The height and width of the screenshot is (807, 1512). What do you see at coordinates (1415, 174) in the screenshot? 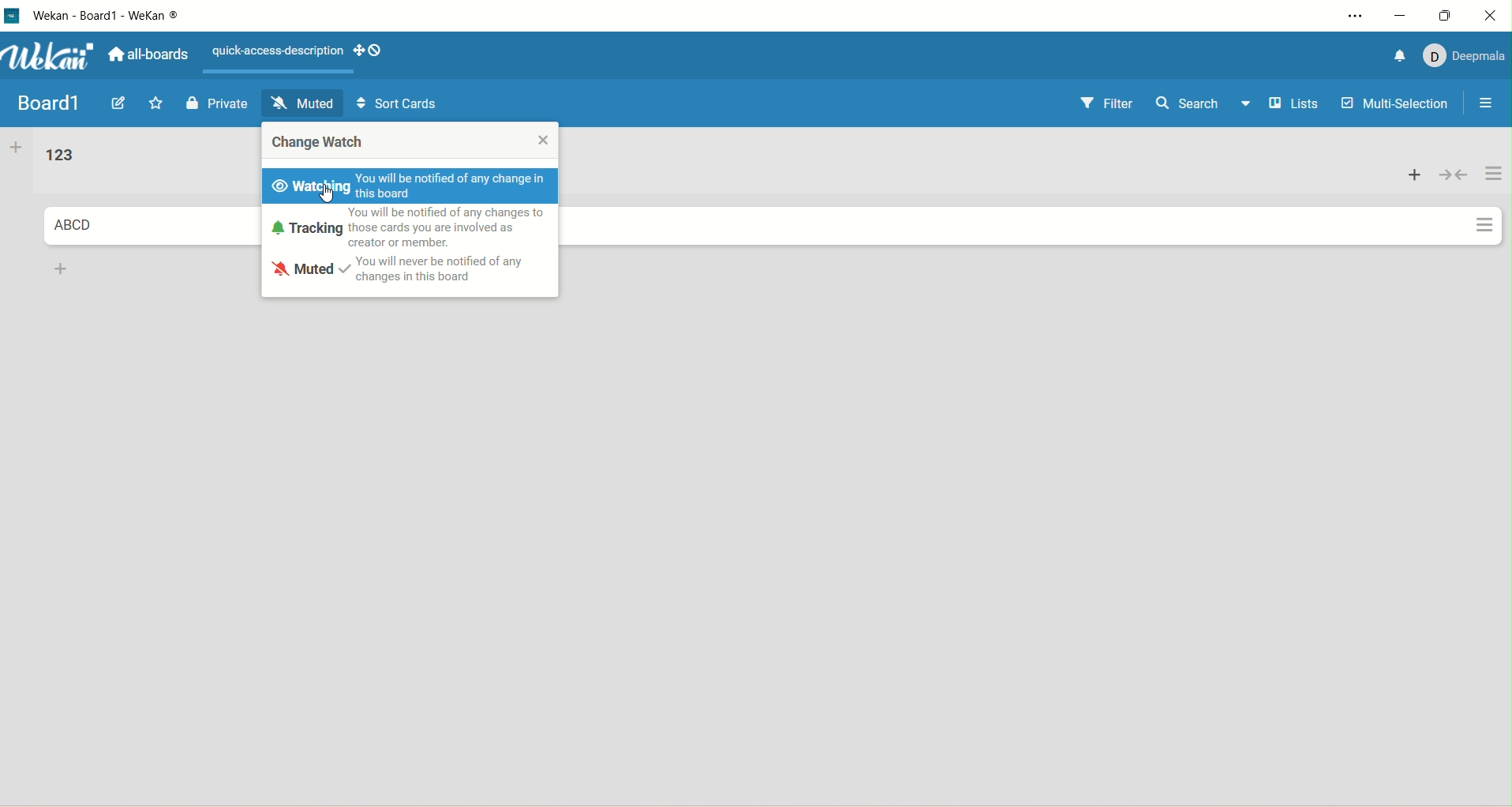
I see `add` at bounding box center [1415, 174].